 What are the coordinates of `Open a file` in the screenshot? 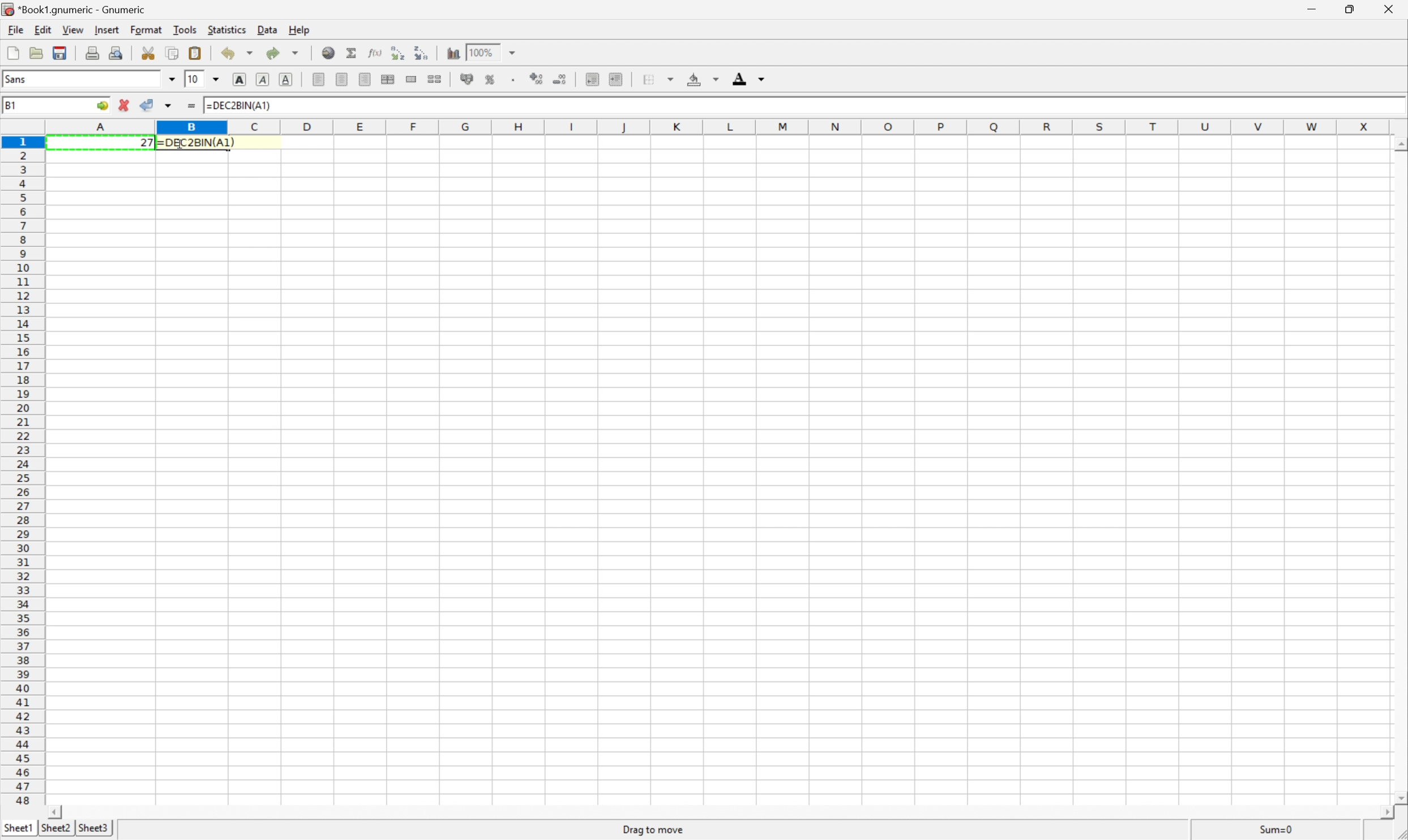 It's located at (37, 53).